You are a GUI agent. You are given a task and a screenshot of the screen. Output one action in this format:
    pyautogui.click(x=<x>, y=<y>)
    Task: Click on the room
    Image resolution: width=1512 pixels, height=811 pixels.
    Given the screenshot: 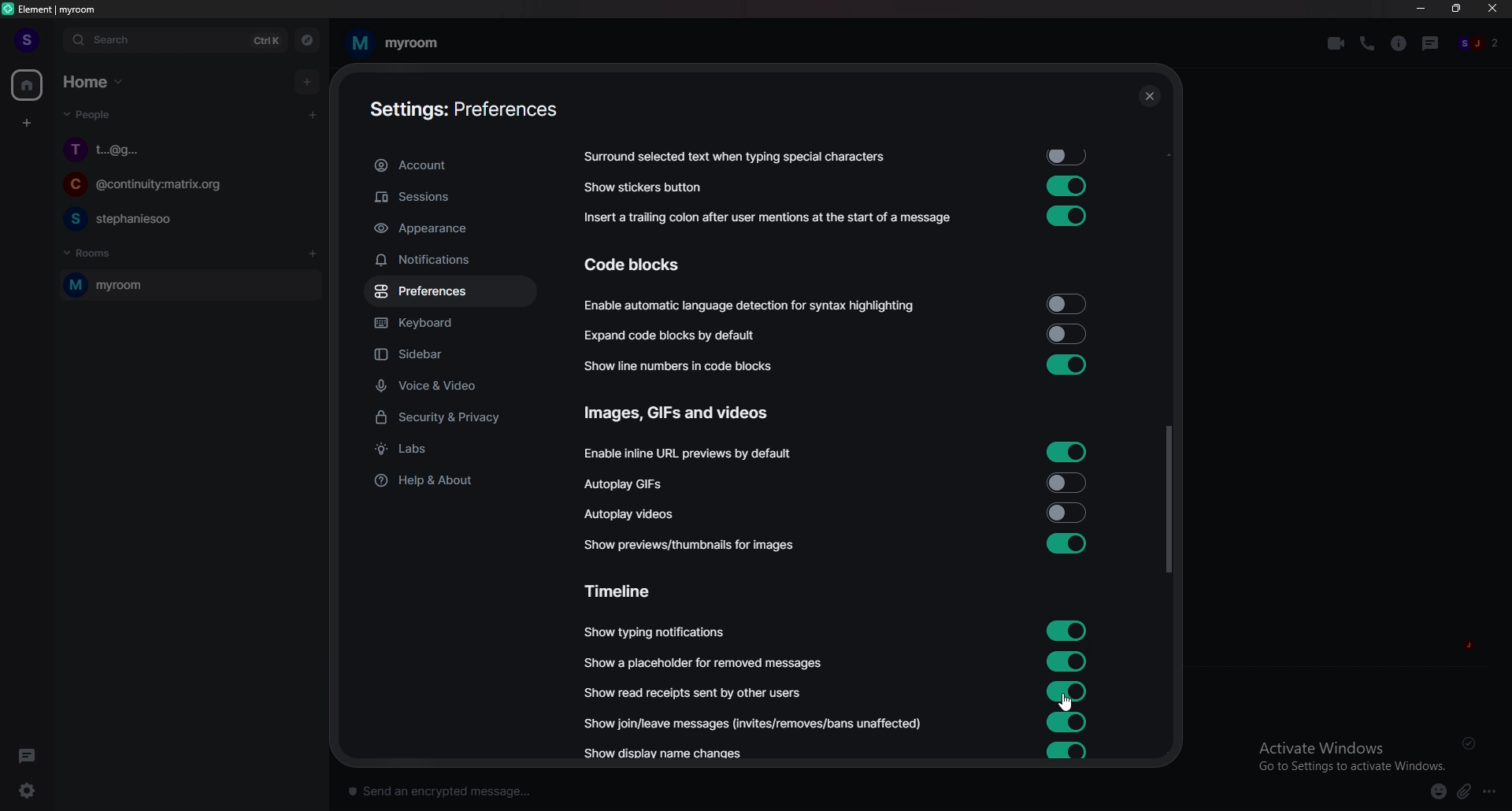 What is the action you would take?
    pyautogui.click(x=393, y=43)
    